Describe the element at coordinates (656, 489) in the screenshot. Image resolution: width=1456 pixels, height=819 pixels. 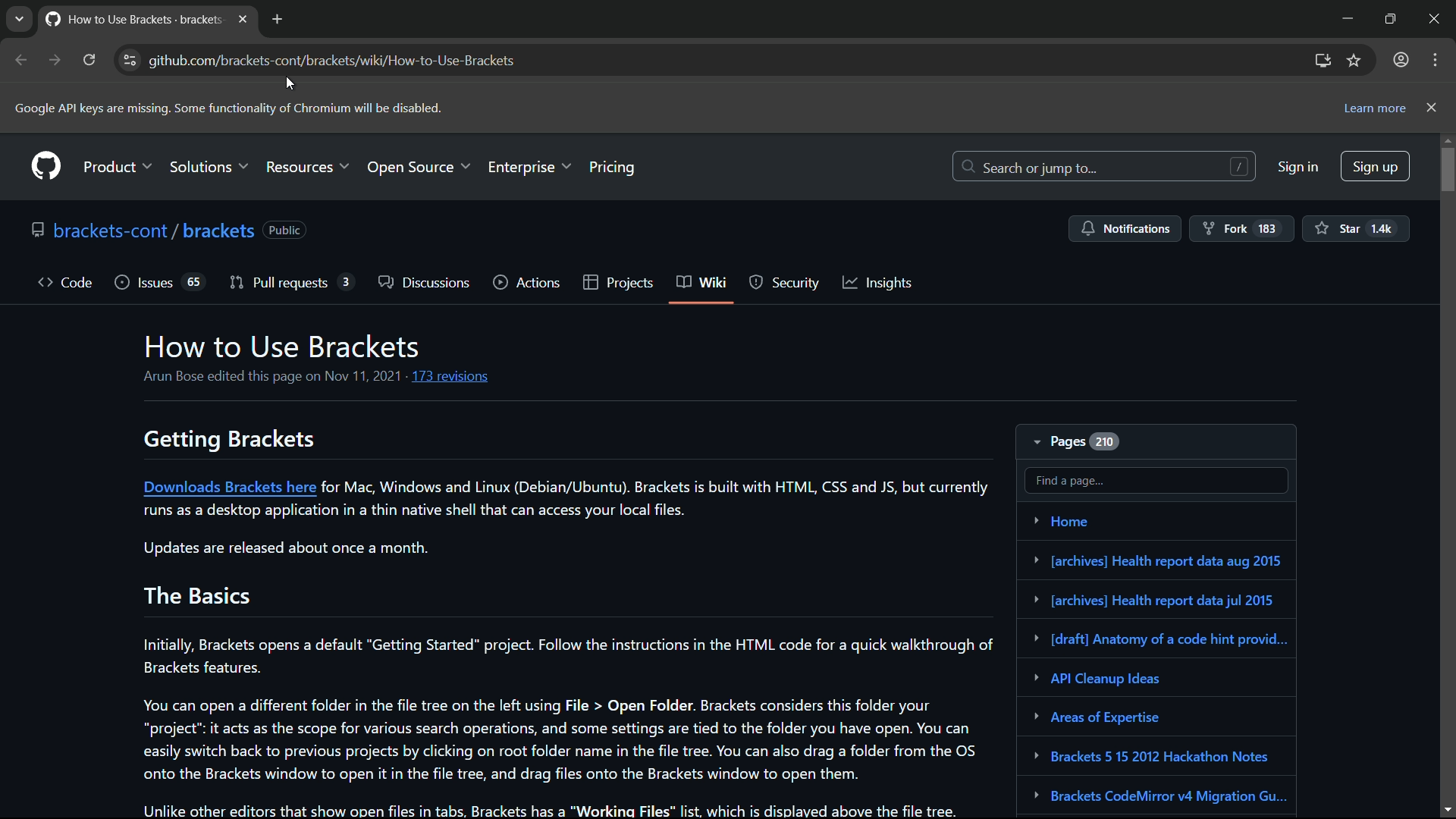
I see `for Mac, Windows and Linux (Debian/Ubuntu). Brackets is built with HTML, CSS and JS, but currently` at that location.